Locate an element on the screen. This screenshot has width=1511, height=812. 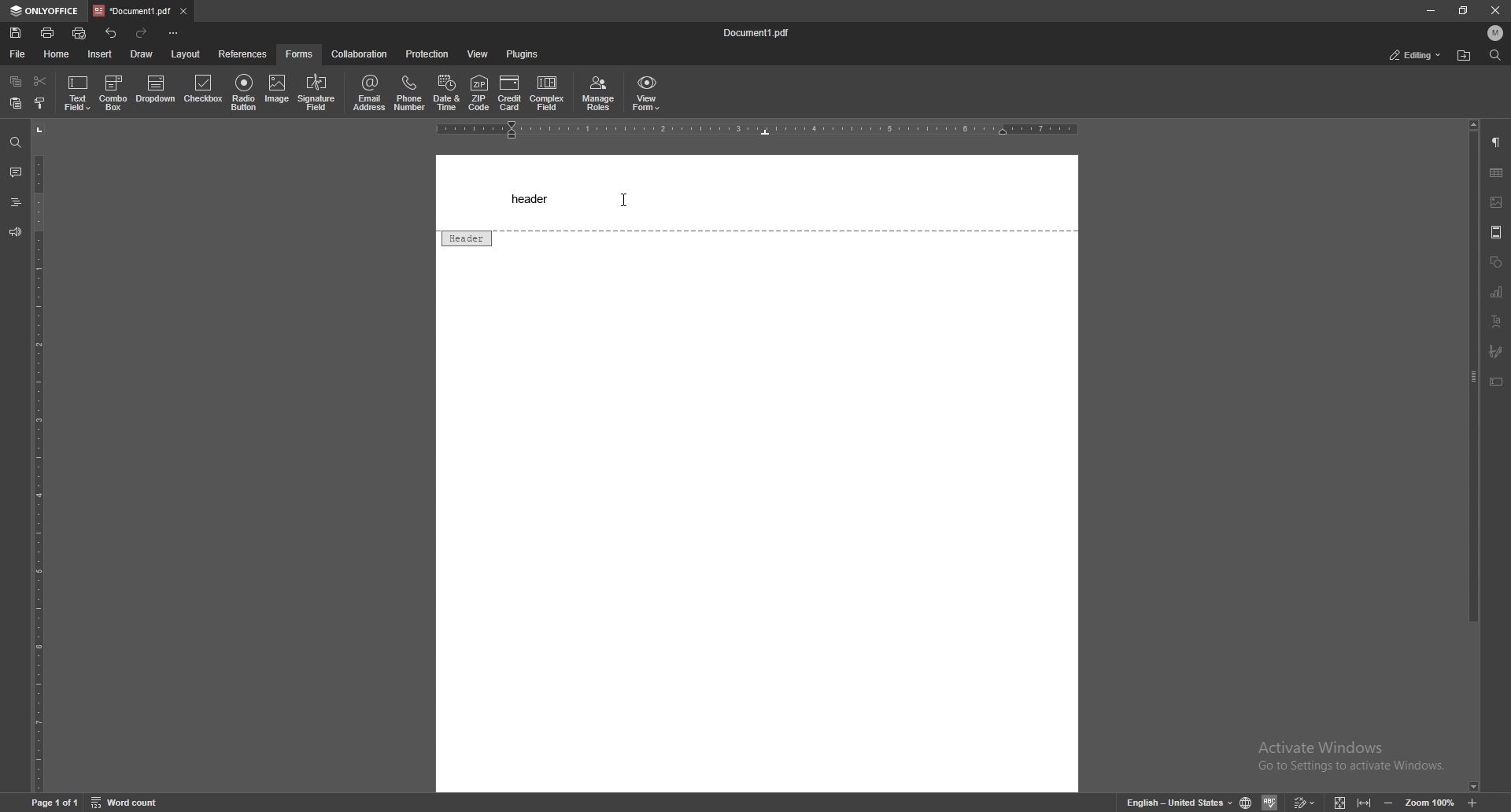
draw is located at coordinates (141, 54).